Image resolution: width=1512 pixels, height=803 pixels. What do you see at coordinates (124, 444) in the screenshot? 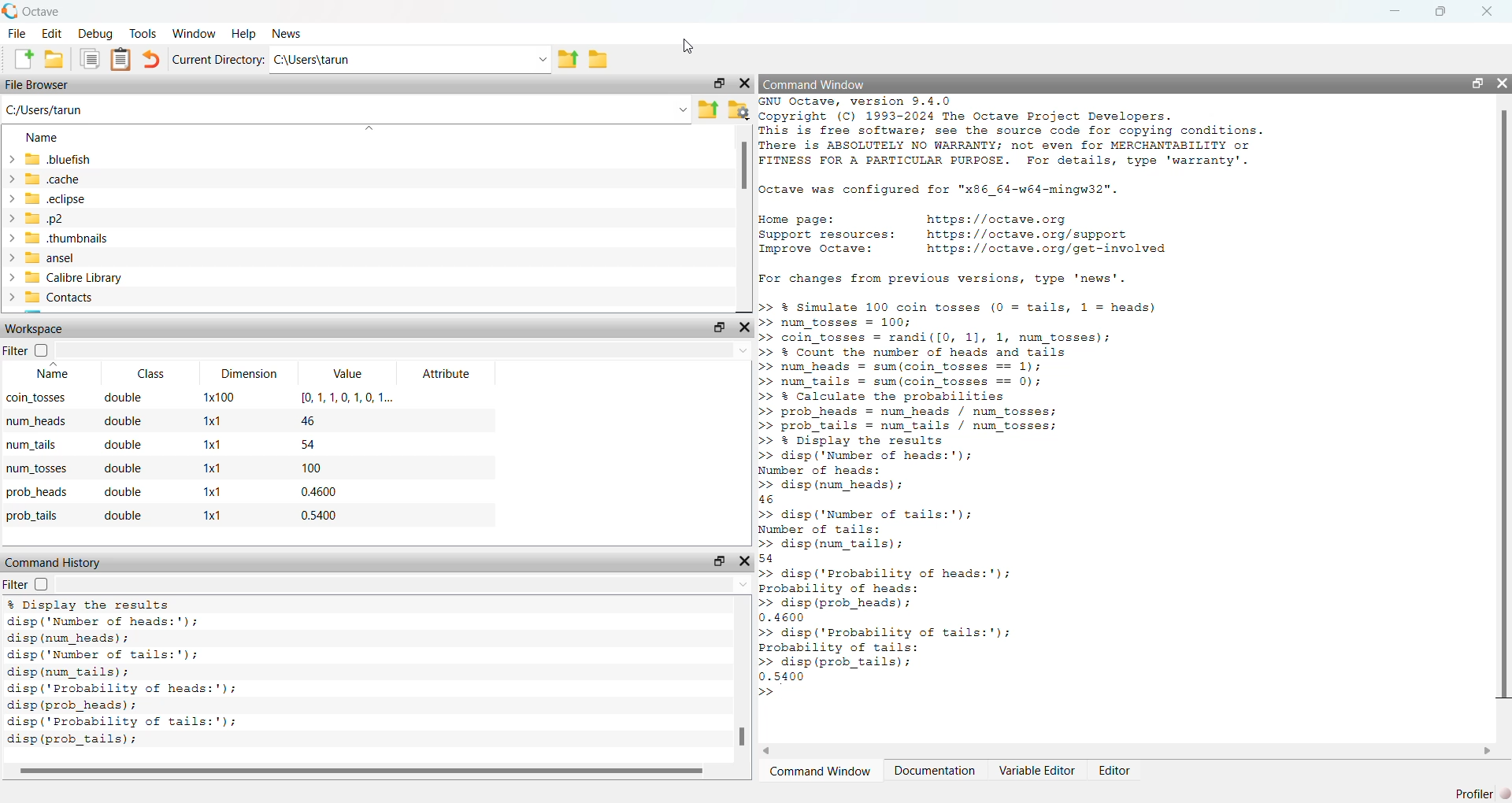
I see `double` at bounding box center [124, 444].